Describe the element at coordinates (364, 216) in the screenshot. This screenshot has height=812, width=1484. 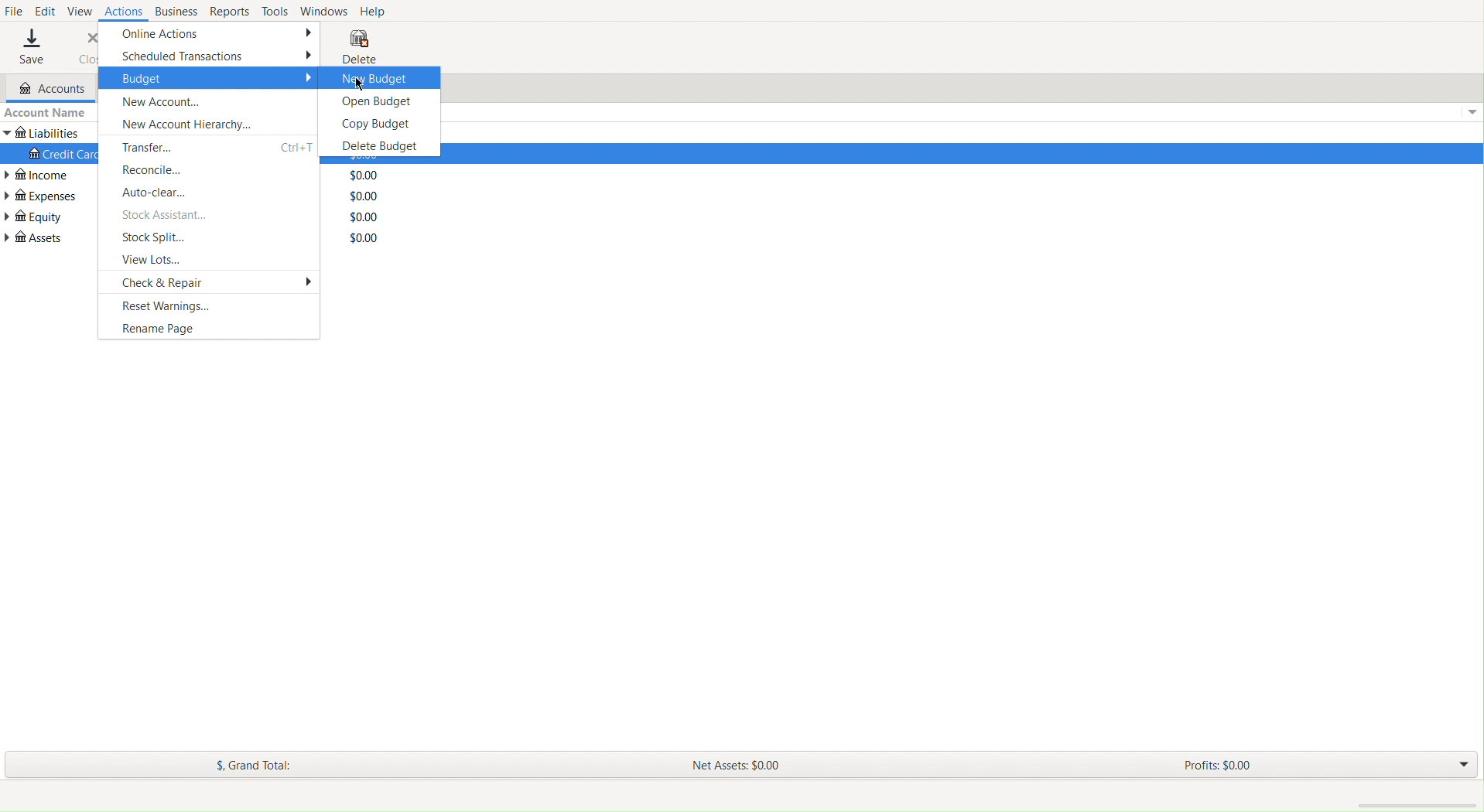
I see `Total` at that location.